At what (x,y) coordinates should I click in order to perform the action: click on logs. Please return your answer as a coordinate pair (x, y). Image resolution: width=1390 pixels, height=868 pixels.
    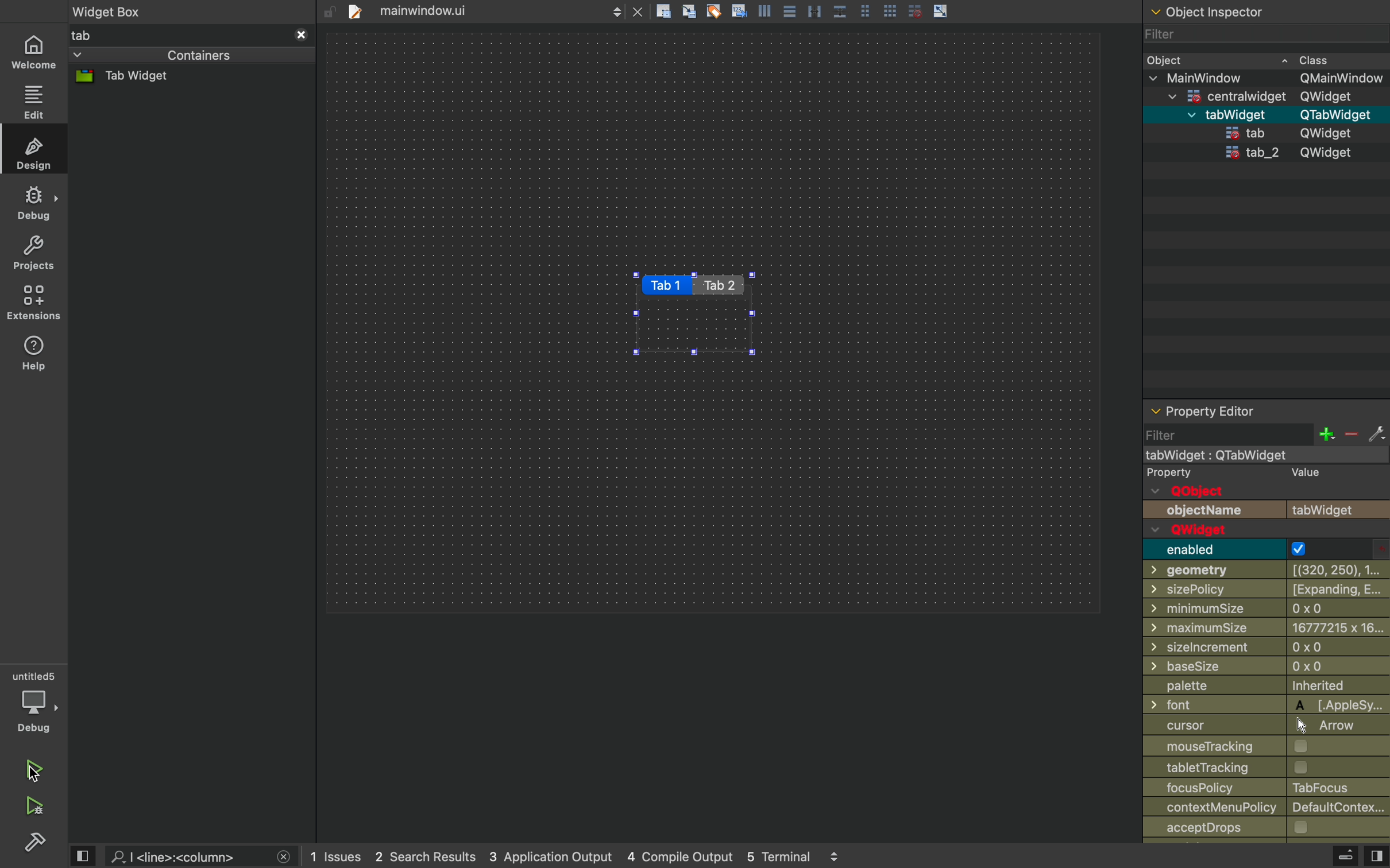
    Looking at the image, I should click on (577, 857).